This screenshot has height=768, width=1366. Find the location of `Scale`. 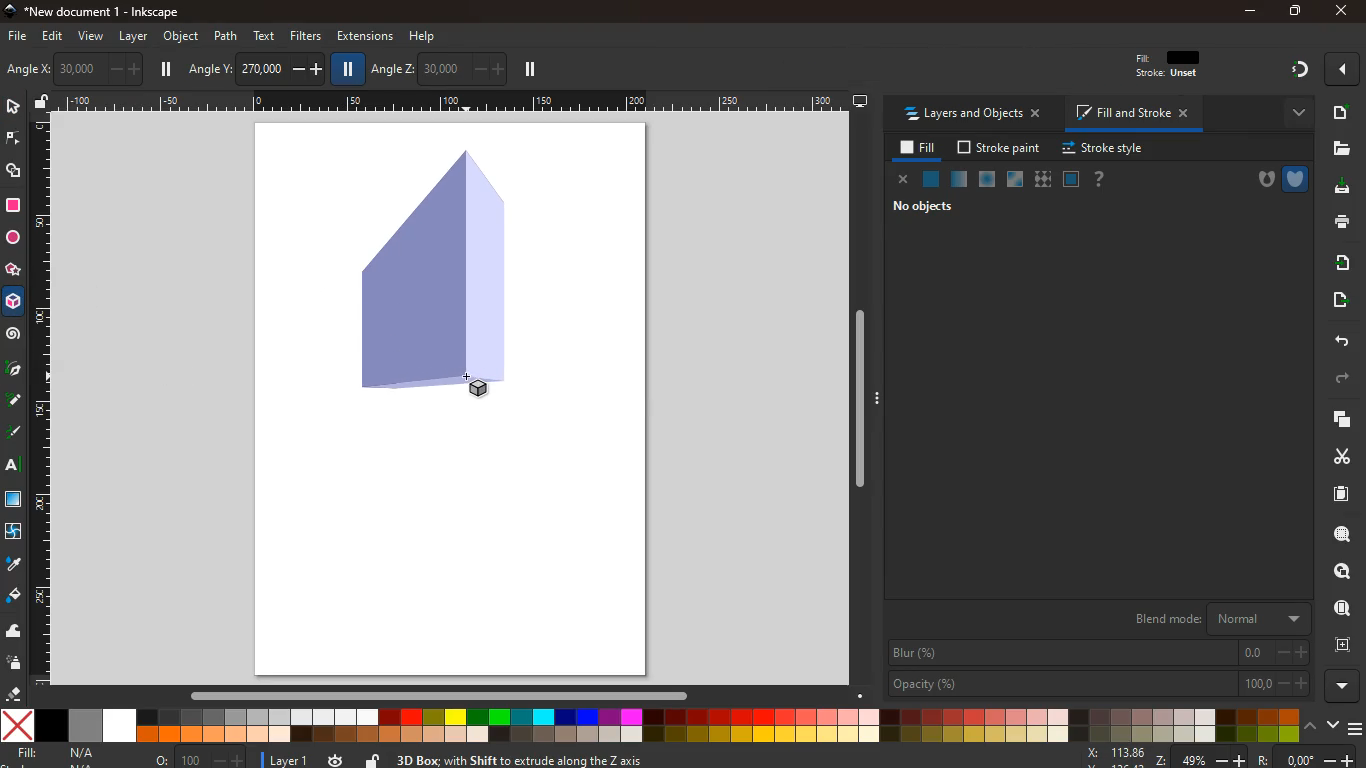

Scale is located at coordinates (449, 99).